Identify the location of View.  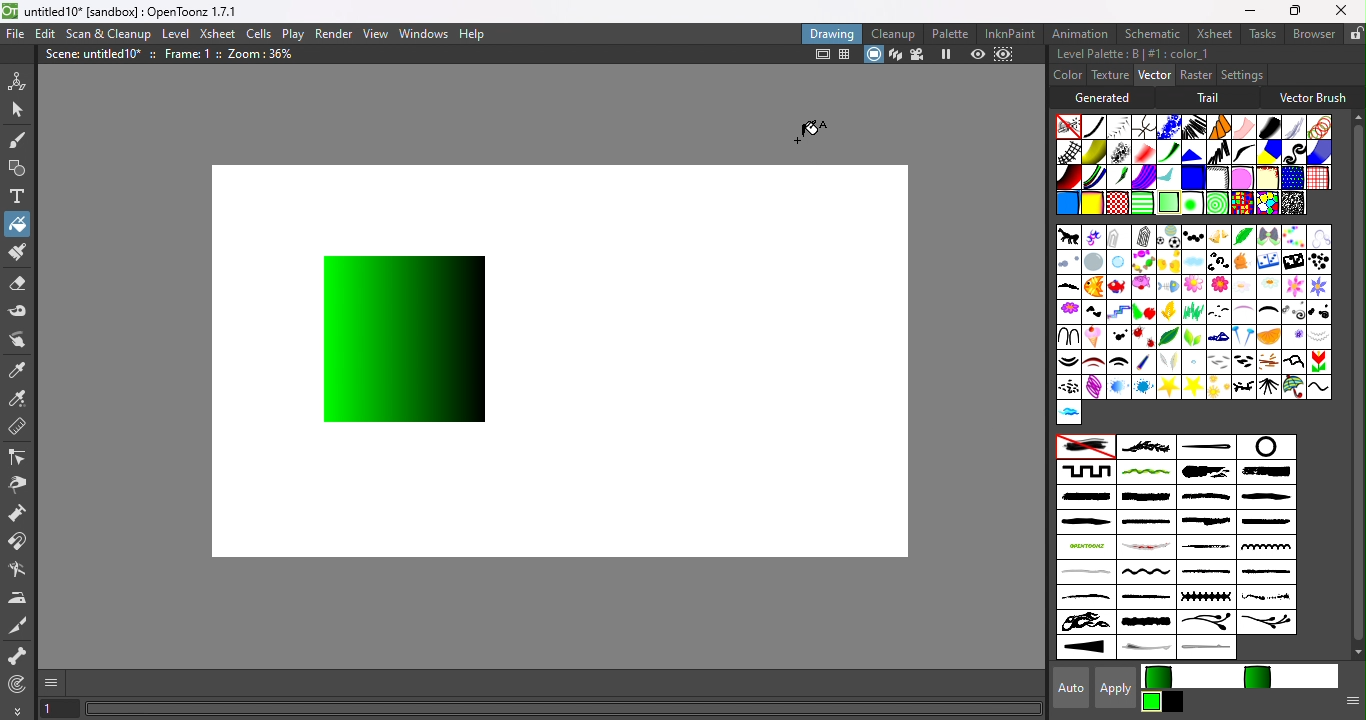
(375, 34).